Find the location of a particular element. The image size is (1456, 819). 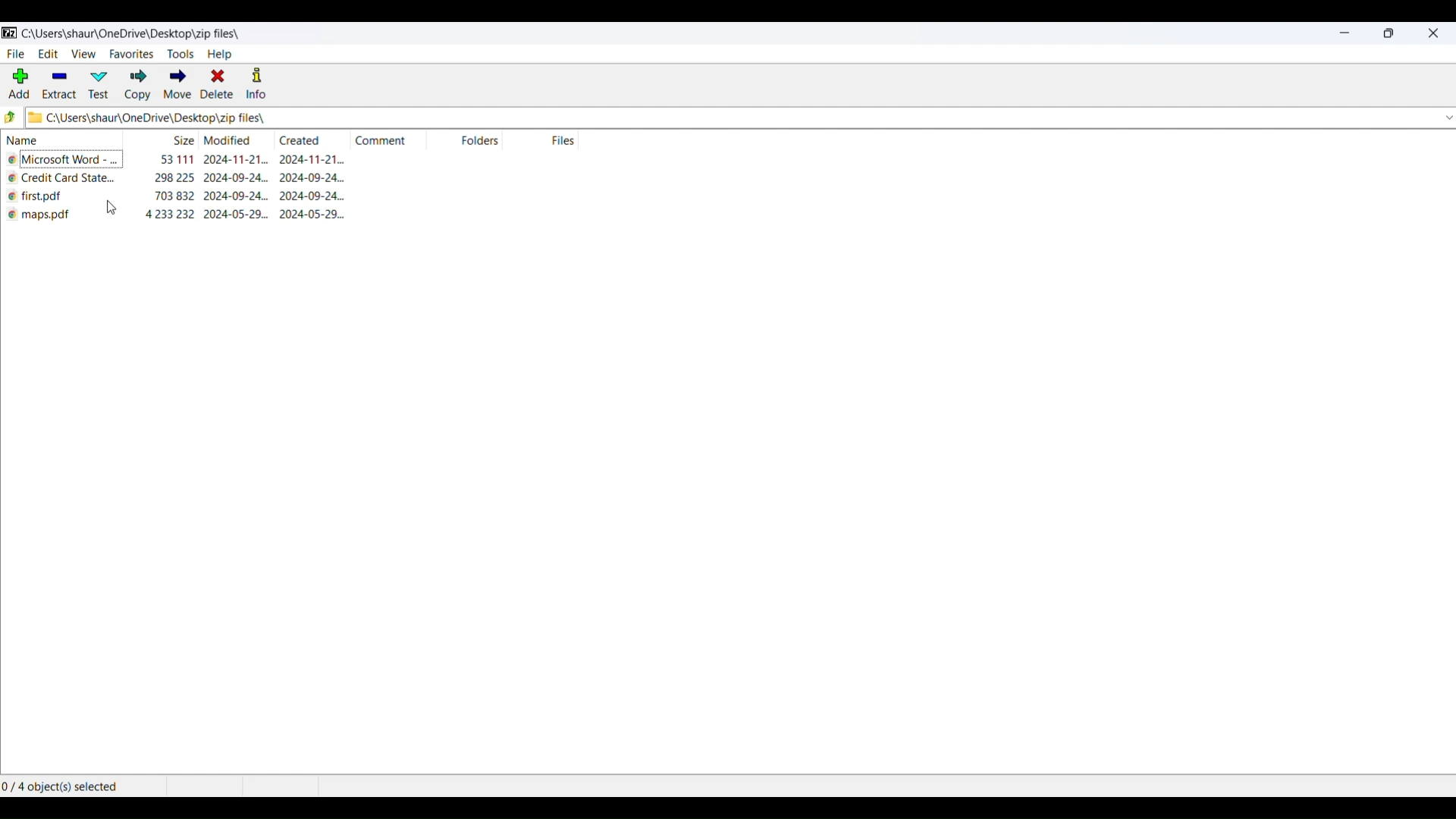

Files is located at coordinates (576, 142).